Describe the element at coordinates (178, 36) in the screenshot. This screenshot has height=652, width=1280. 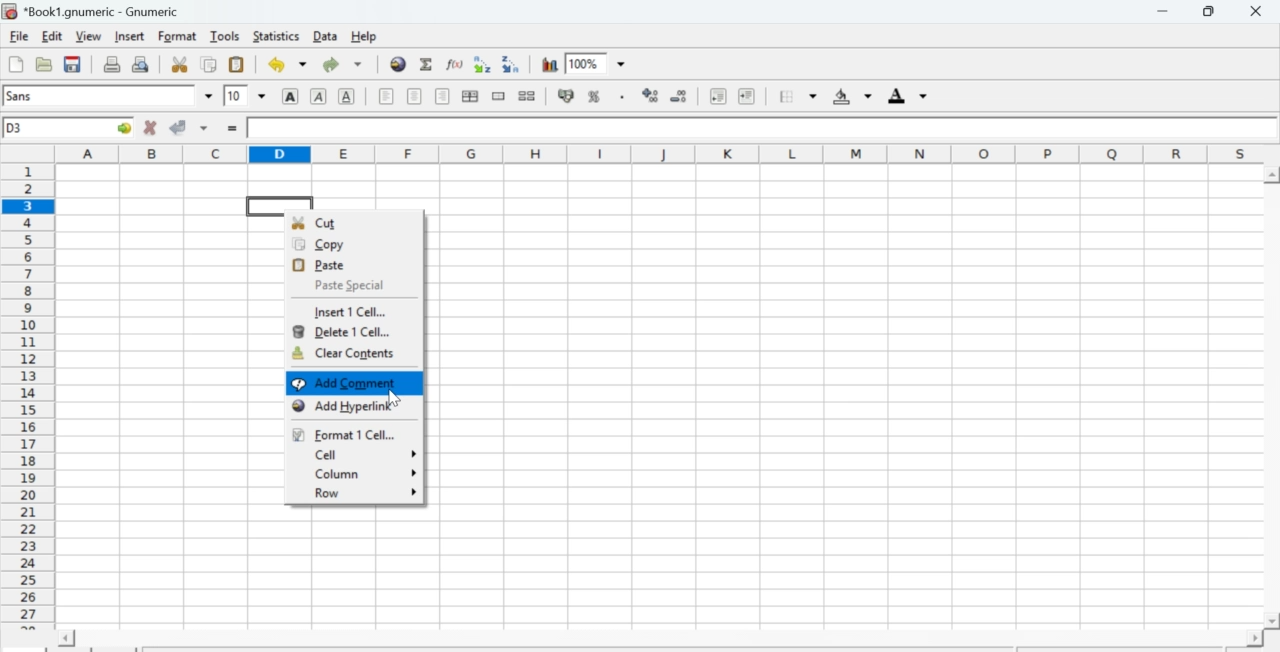
I see `Format` at that location.